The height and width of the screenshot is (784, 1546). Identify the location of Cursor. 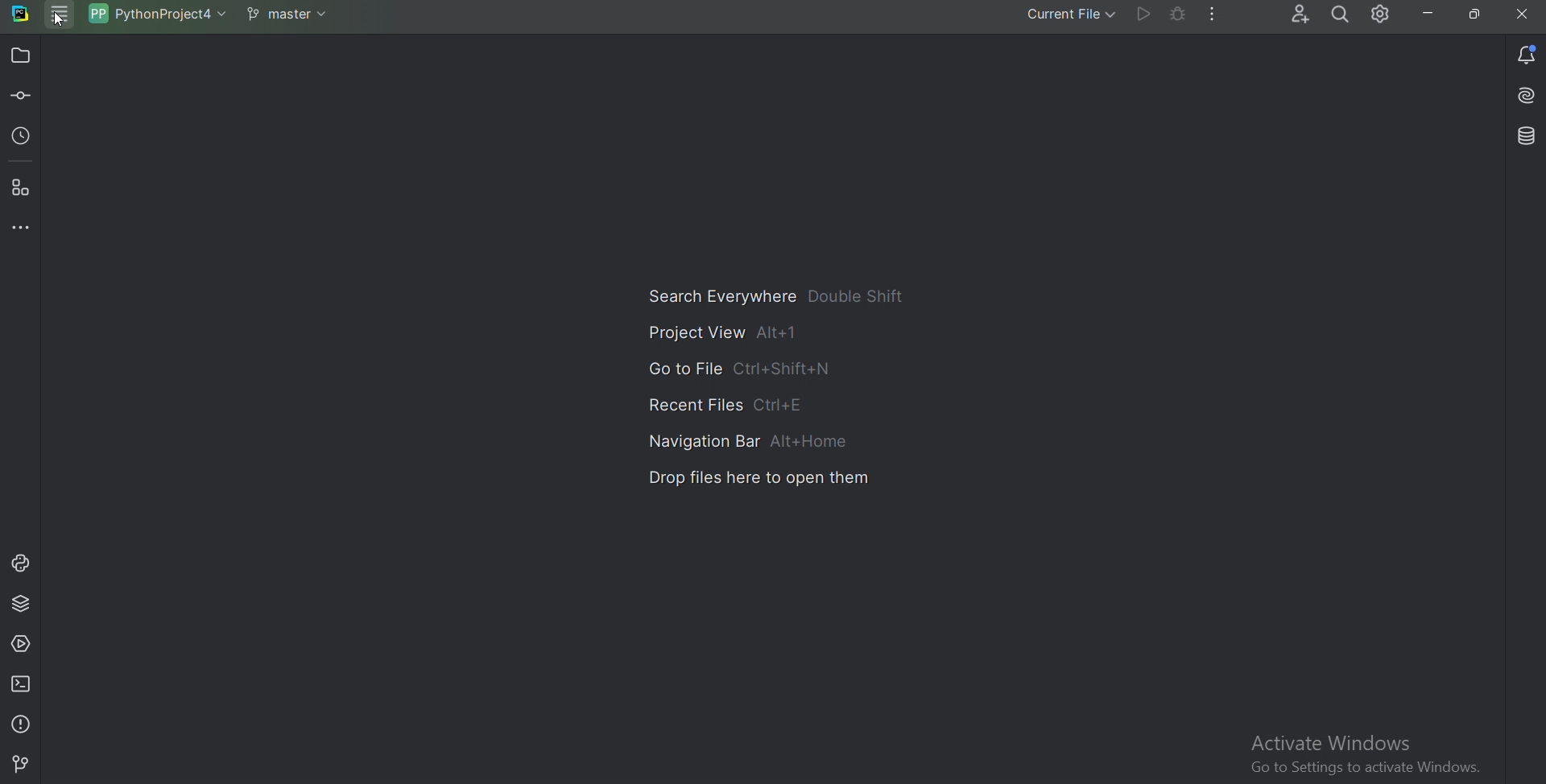
(60, 18).